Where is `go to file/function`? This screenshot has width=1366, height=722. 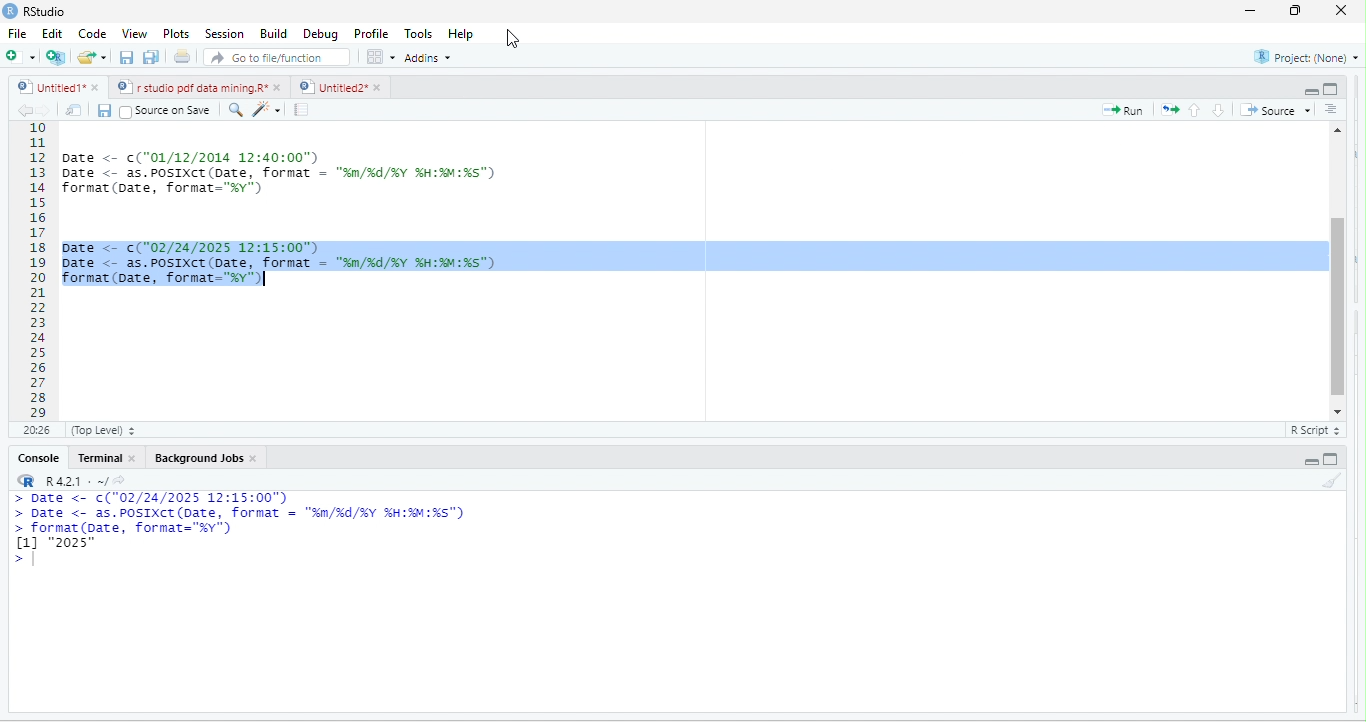
go to file/function is located at coordinates (272, 60).